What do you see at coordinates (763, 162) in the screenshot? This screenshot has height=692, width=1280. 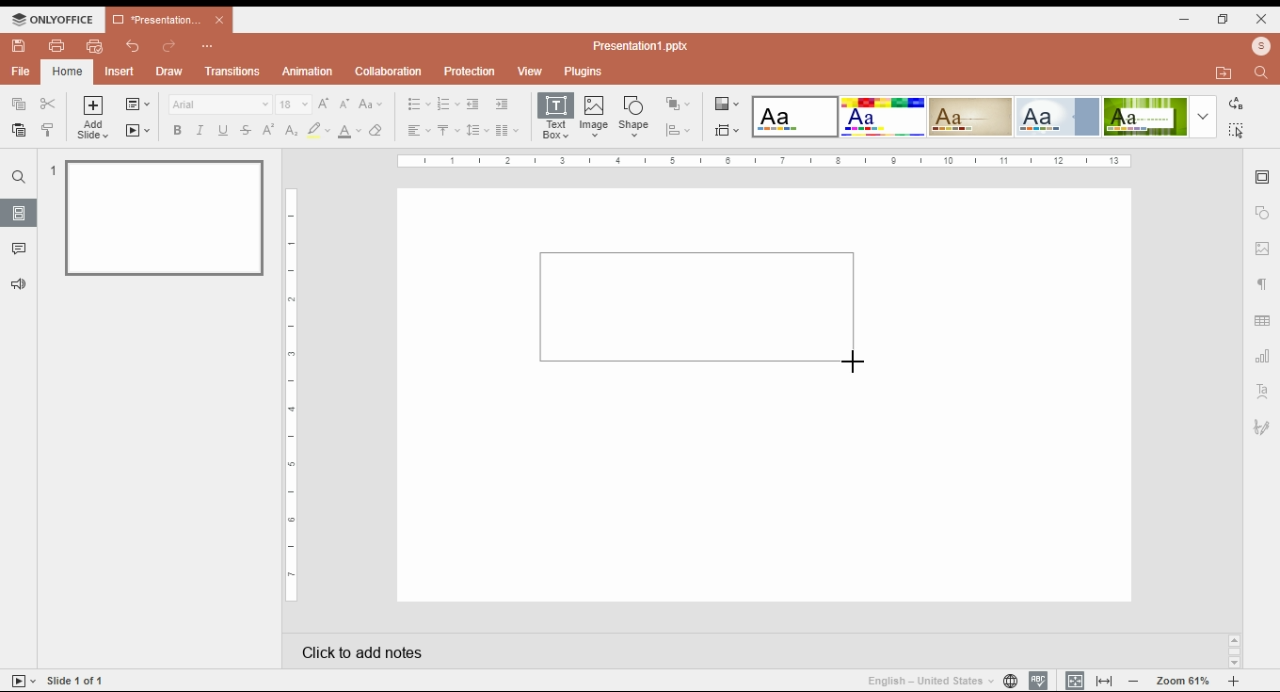 I see `Ruler` at bounding box center [763, 162].